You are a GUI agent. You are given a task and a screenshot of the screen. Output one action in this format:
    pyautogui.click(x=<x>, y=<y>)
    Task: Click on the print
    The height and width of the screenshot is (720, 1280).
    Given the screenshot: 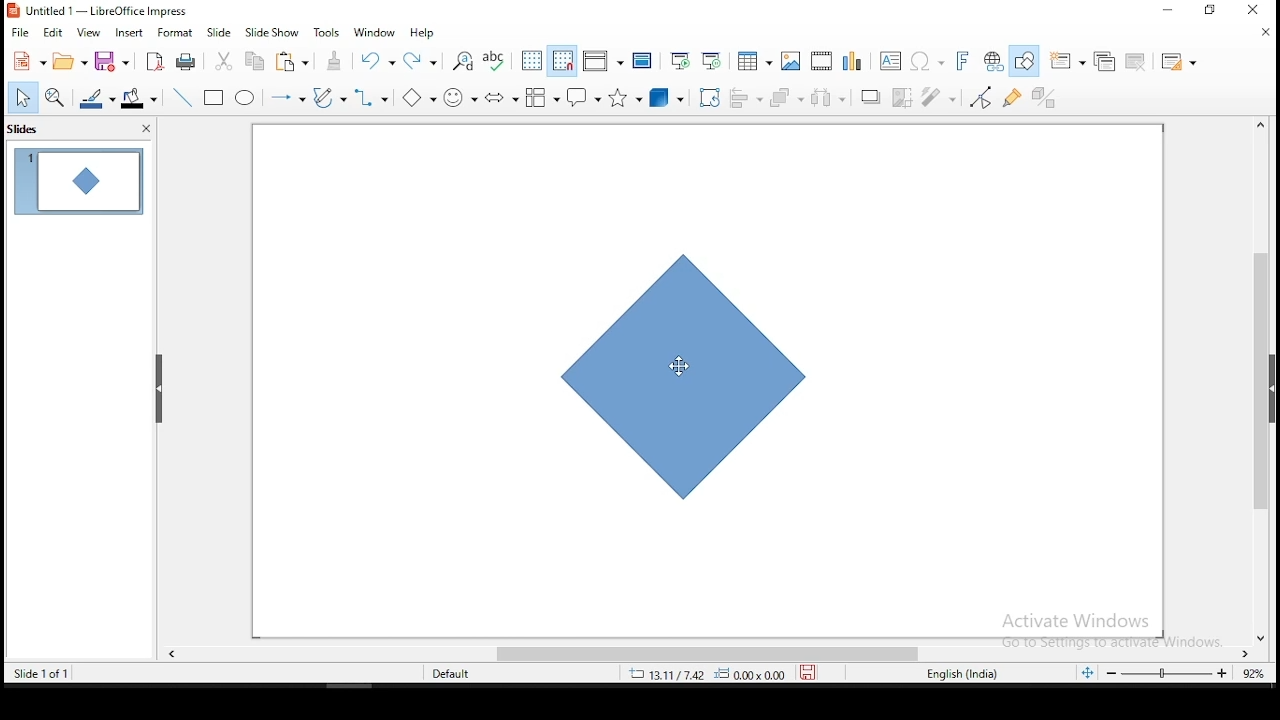 What is the action you would take?
    pyautogui.click(x=187, y=60)
    